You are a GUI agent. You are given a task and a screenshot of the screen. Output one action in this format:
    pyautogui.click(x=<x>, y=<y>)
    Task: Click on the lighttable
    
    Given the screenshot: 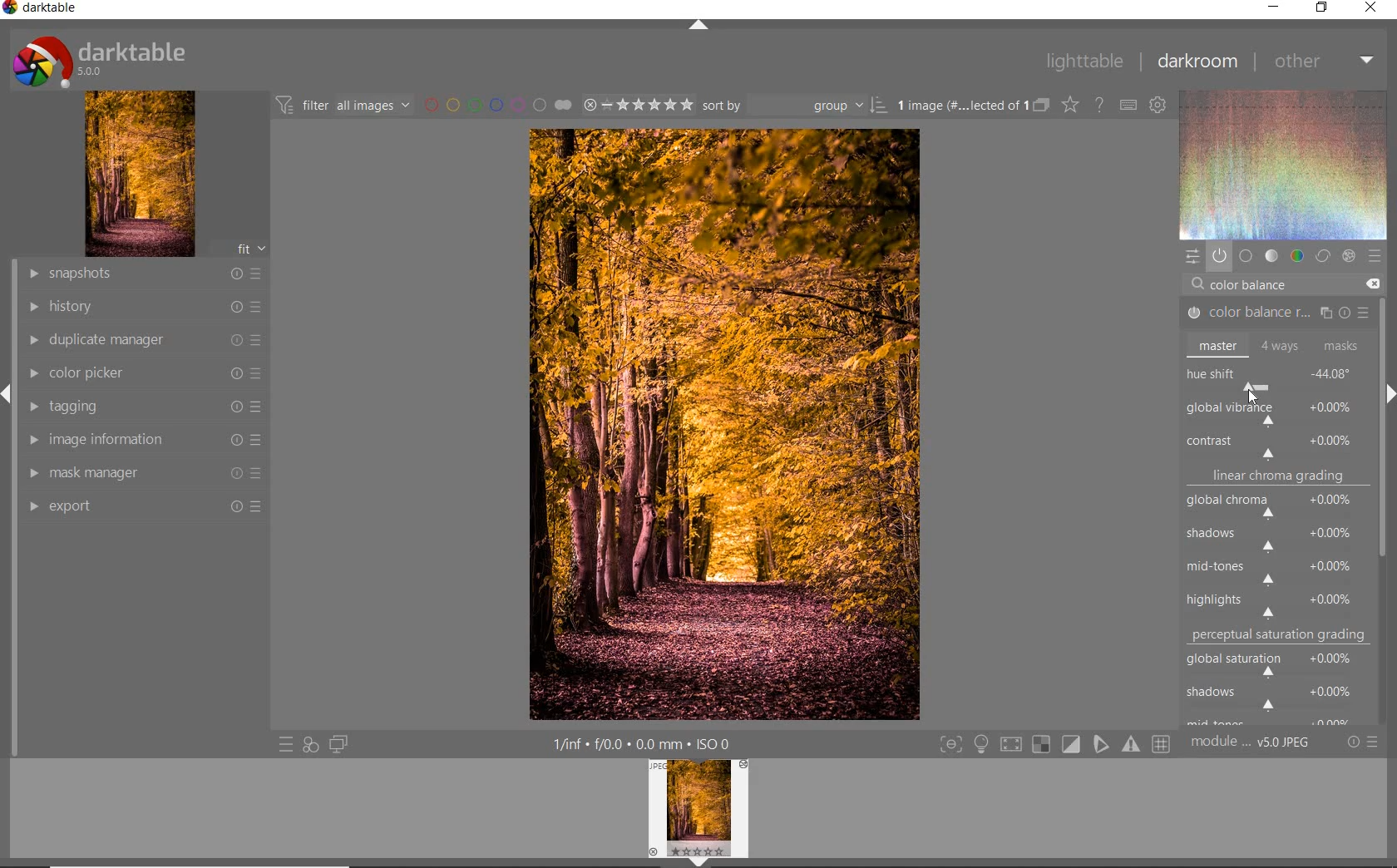 What is the action you would take?
    pyautogui.click(x=1084, y=62)
    